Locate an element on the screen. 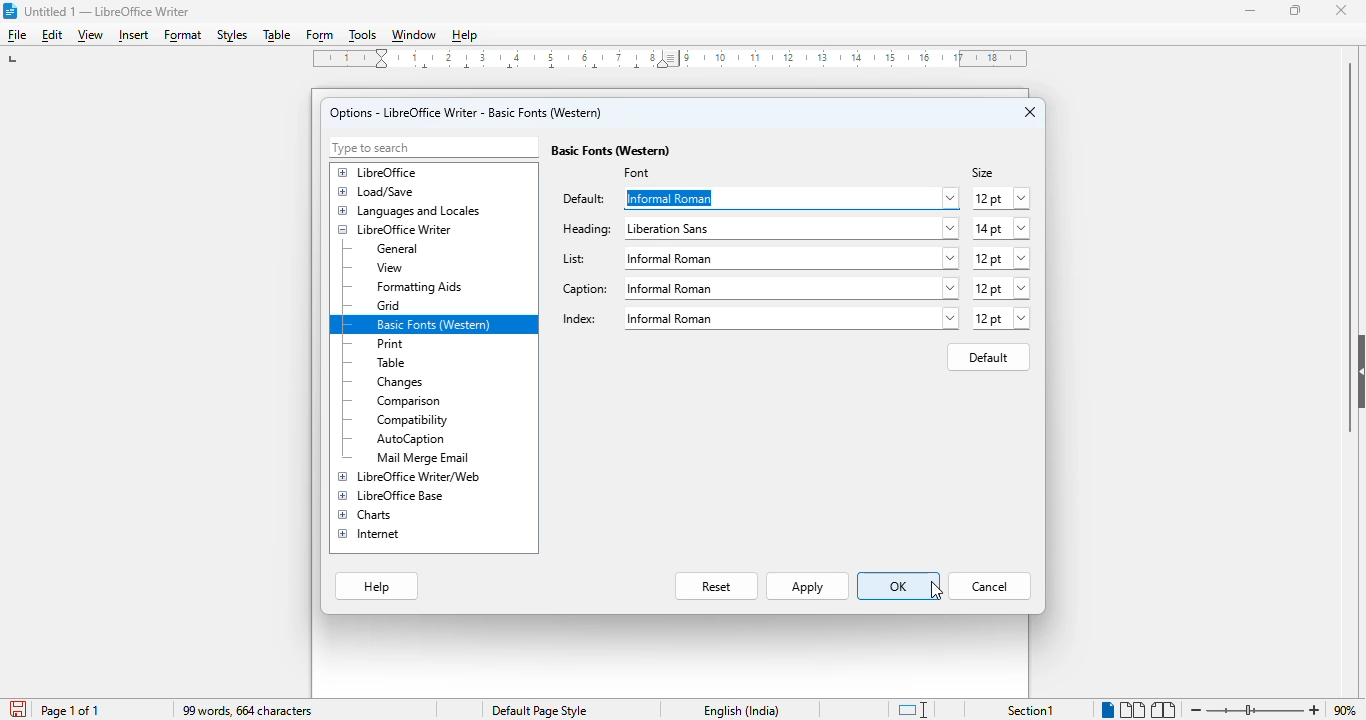  size is located at coordinates (984, 172).